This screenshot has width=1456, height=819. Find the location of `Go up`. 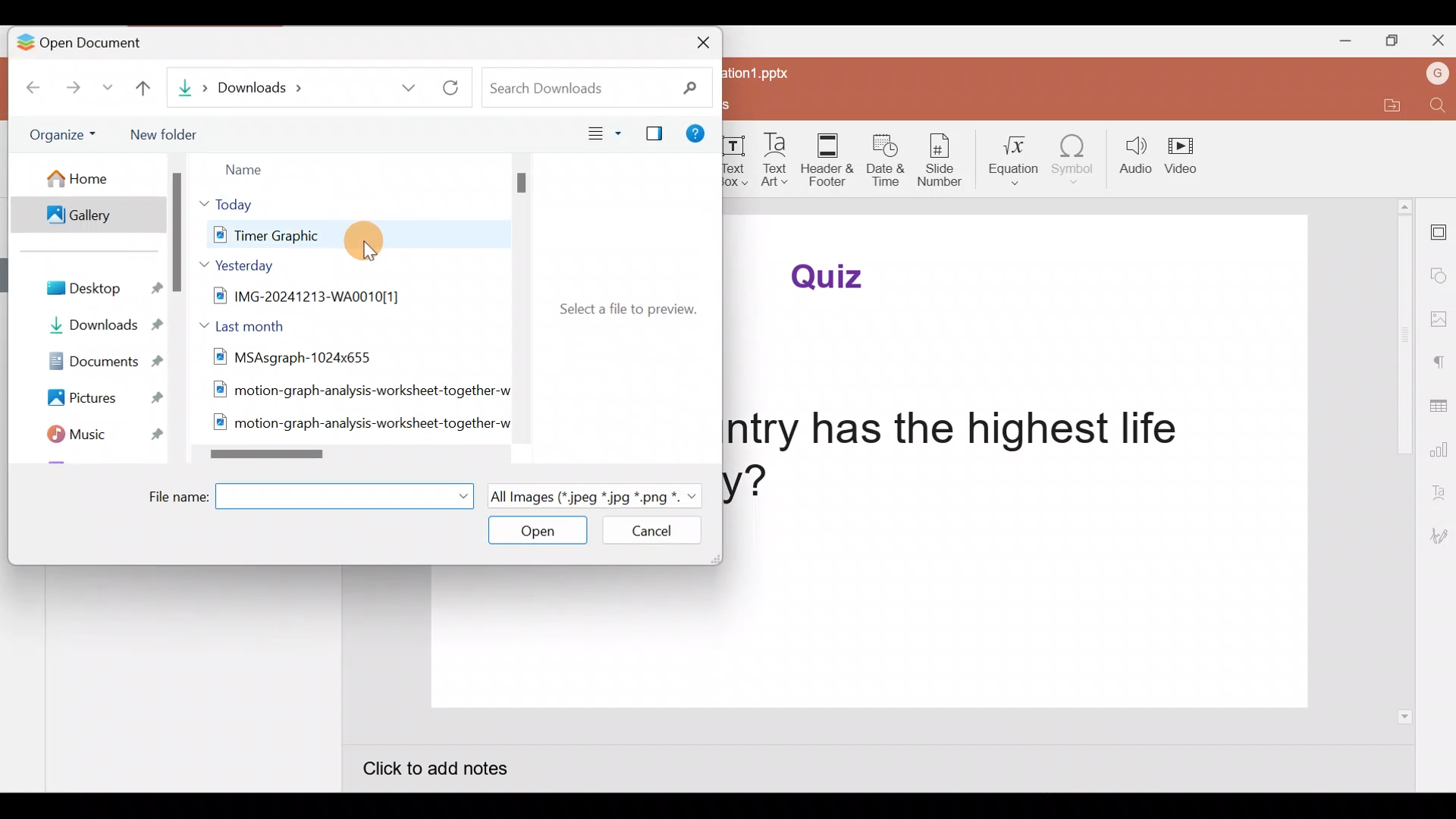

Go up is located at coordinates (149, 93).